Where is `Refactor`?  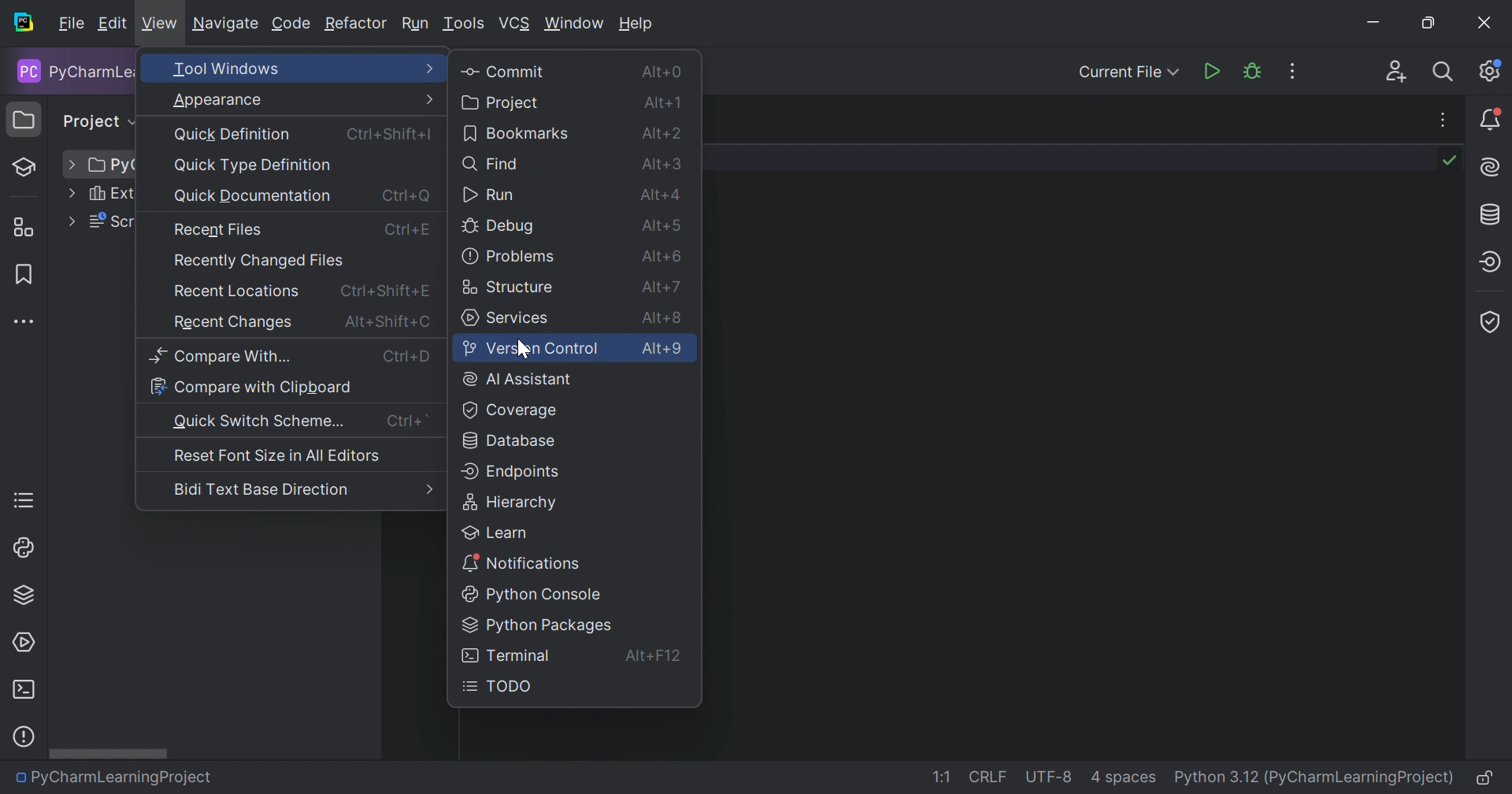
Refactor is located at coordinates (355, 25).